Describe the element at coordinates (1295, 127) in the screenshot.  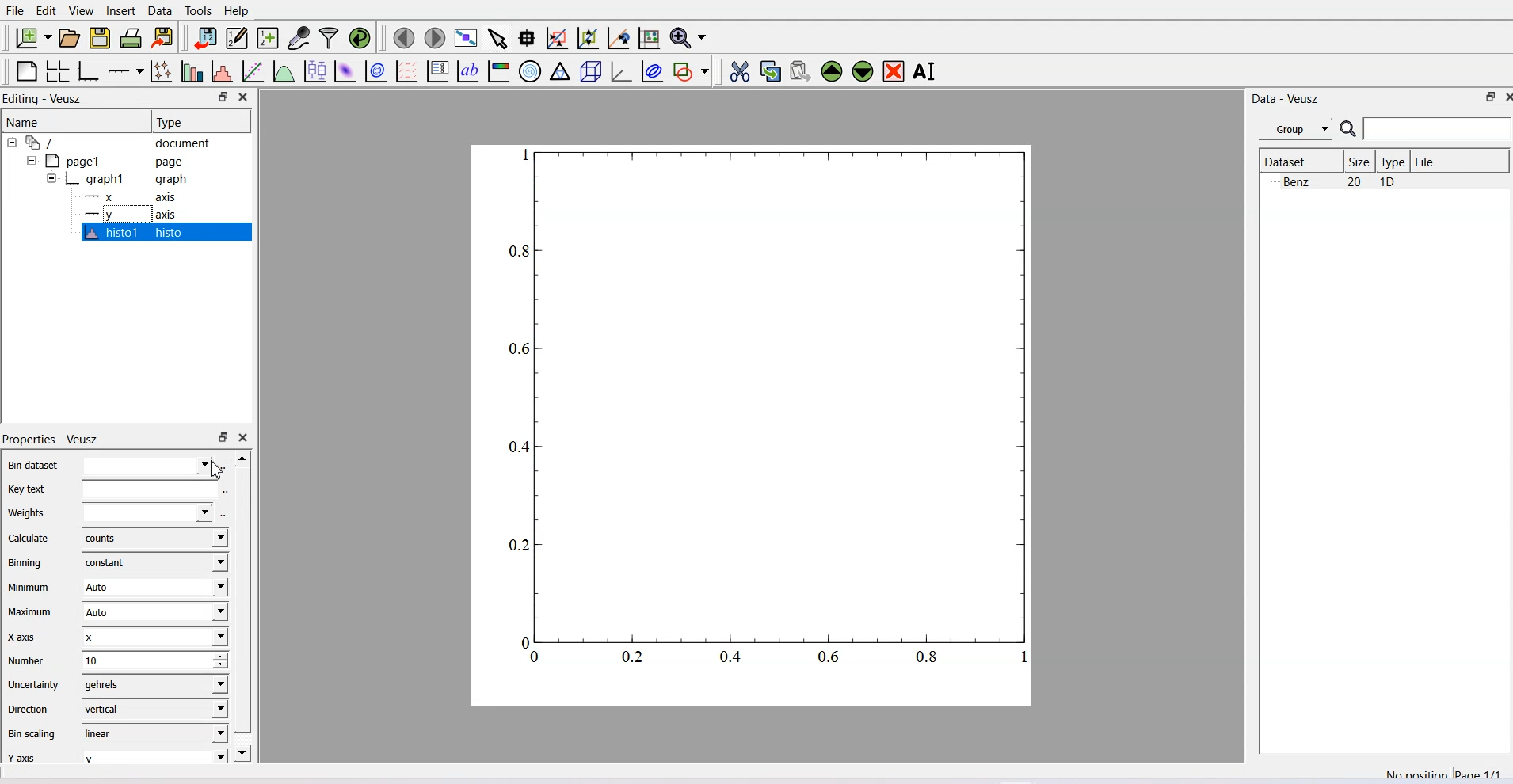
I see `Group` at that location.